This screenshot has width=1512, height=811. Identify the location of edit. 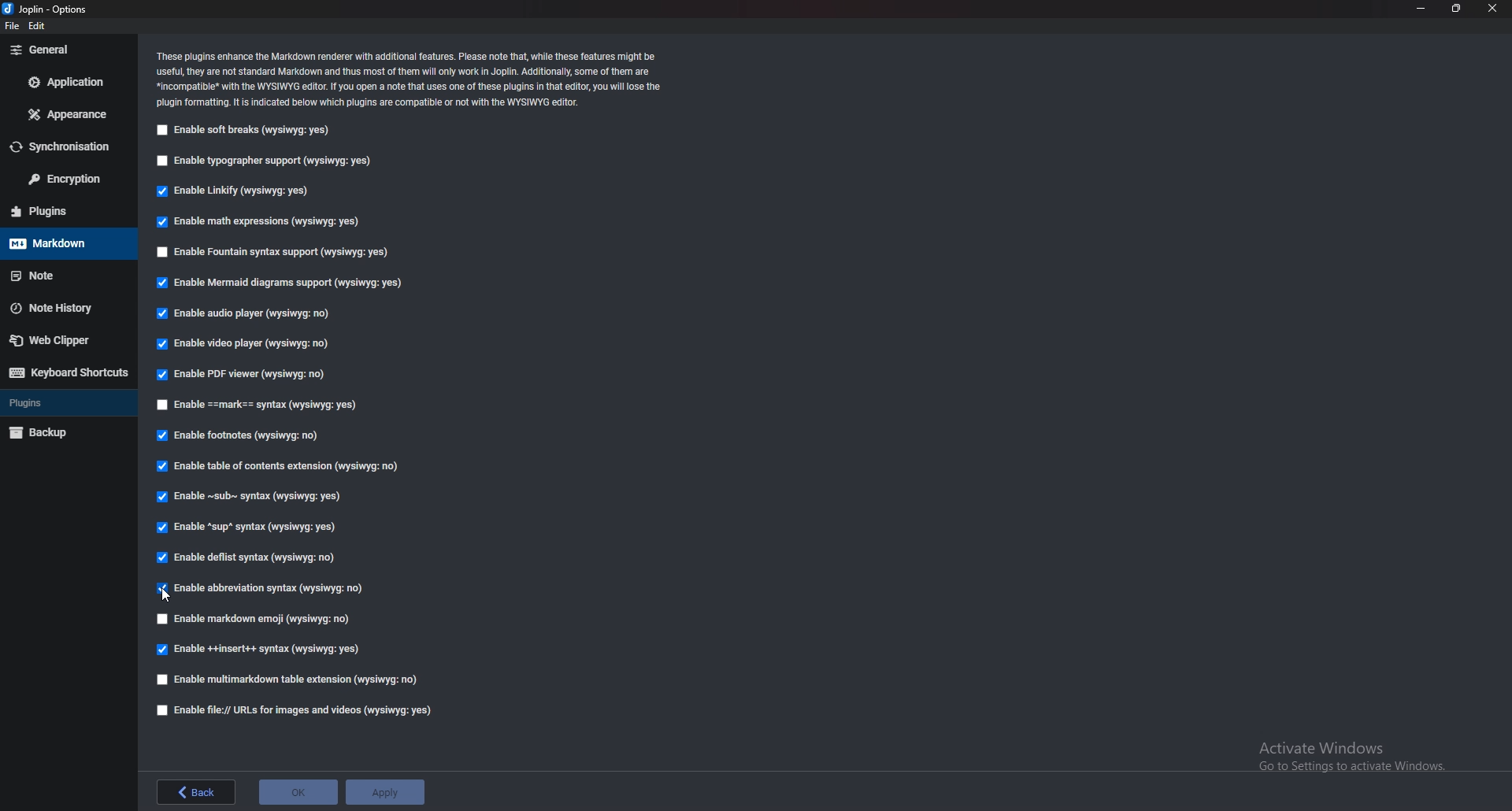
(43, 25).